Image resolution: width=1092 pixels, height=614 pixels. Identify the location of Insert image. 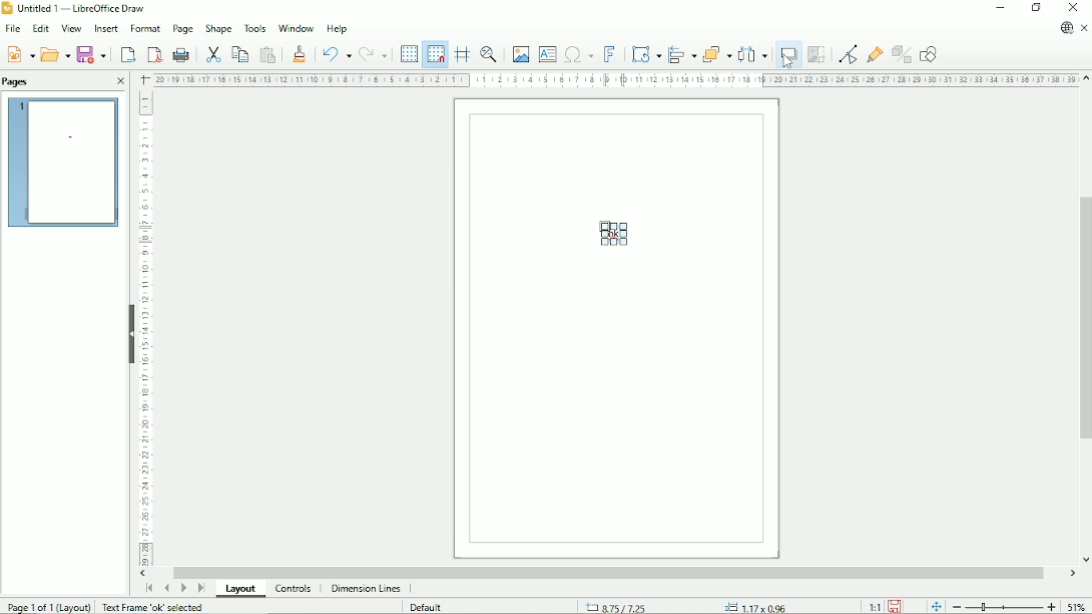
(519, 53).